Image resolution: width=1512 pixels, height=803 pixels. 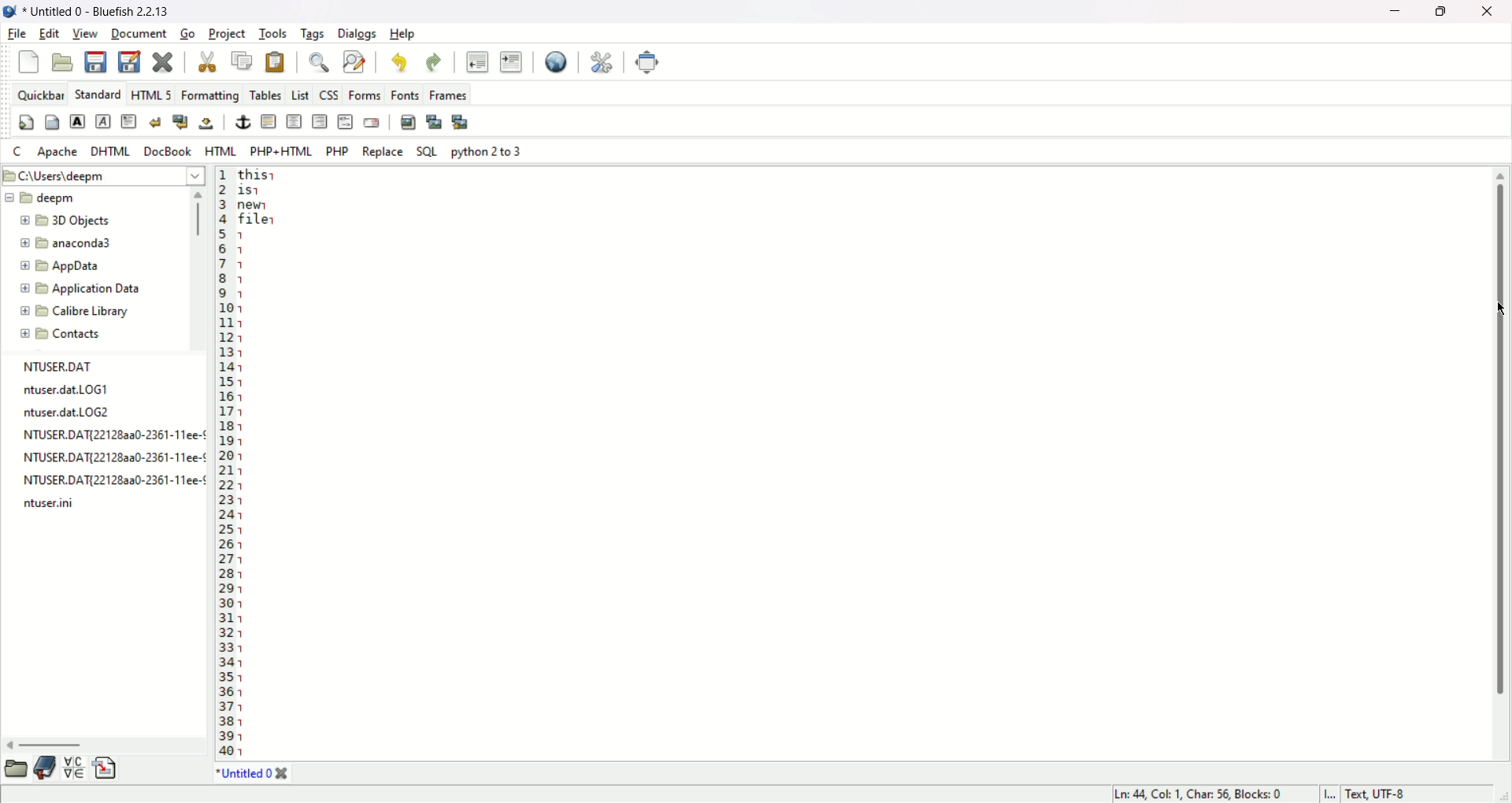 I want to click on tools, so click(x=273, y=34).